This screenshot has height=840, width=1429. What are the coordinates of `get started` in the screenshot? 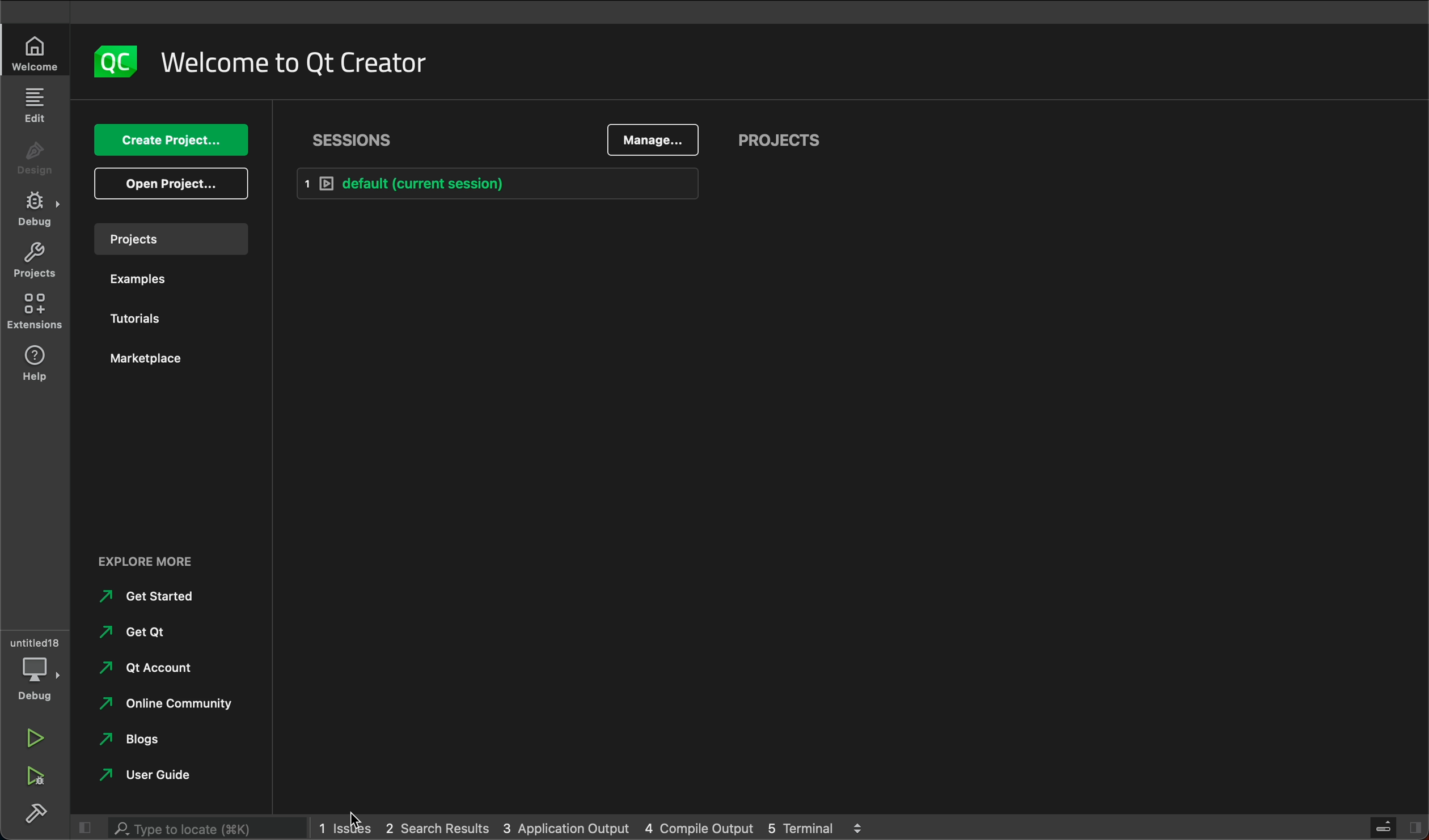 It's located at (154, 599).